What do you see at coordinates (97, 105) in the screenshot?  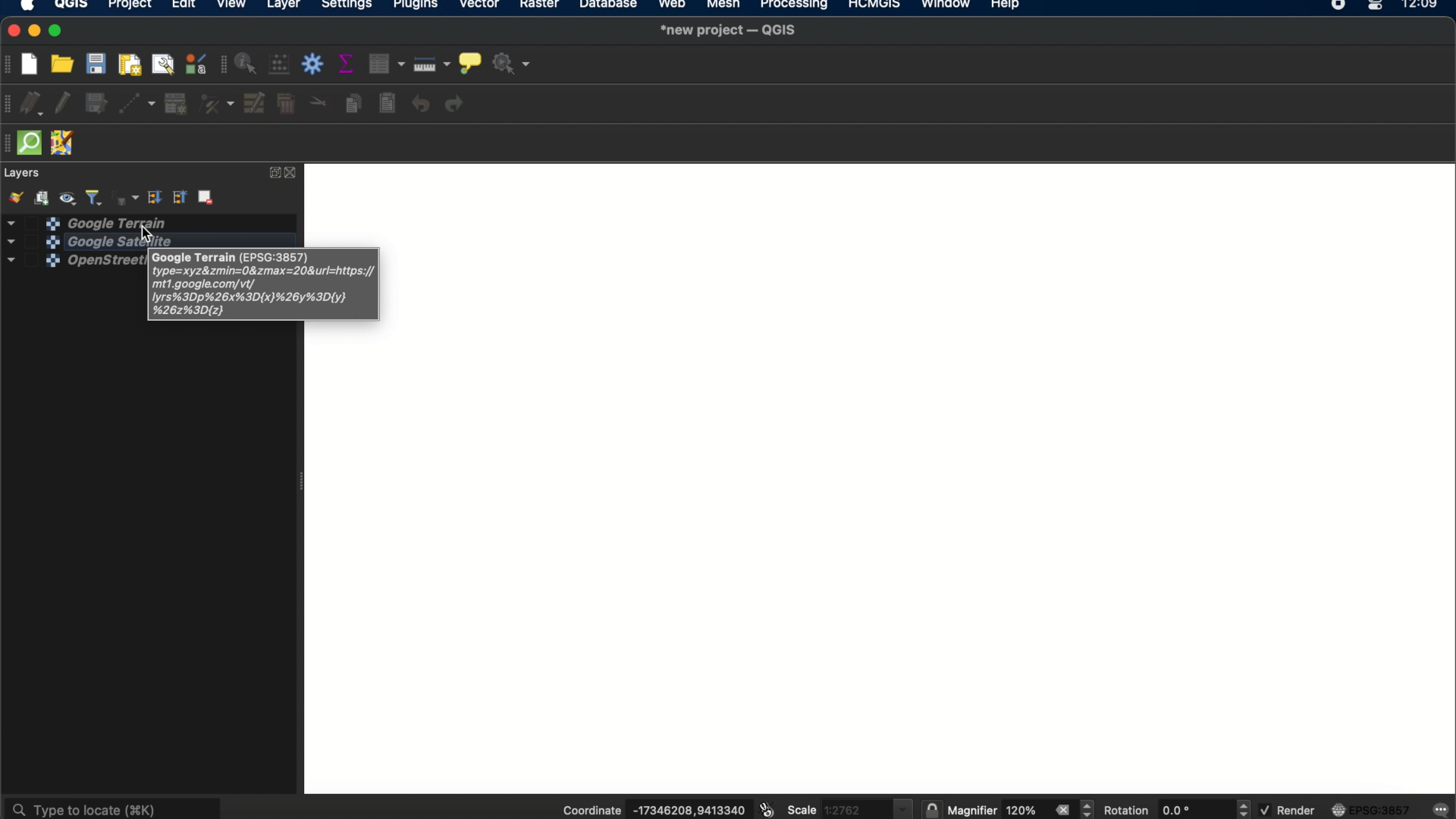 I see `save layer edits` at bounding box center [97, 105].